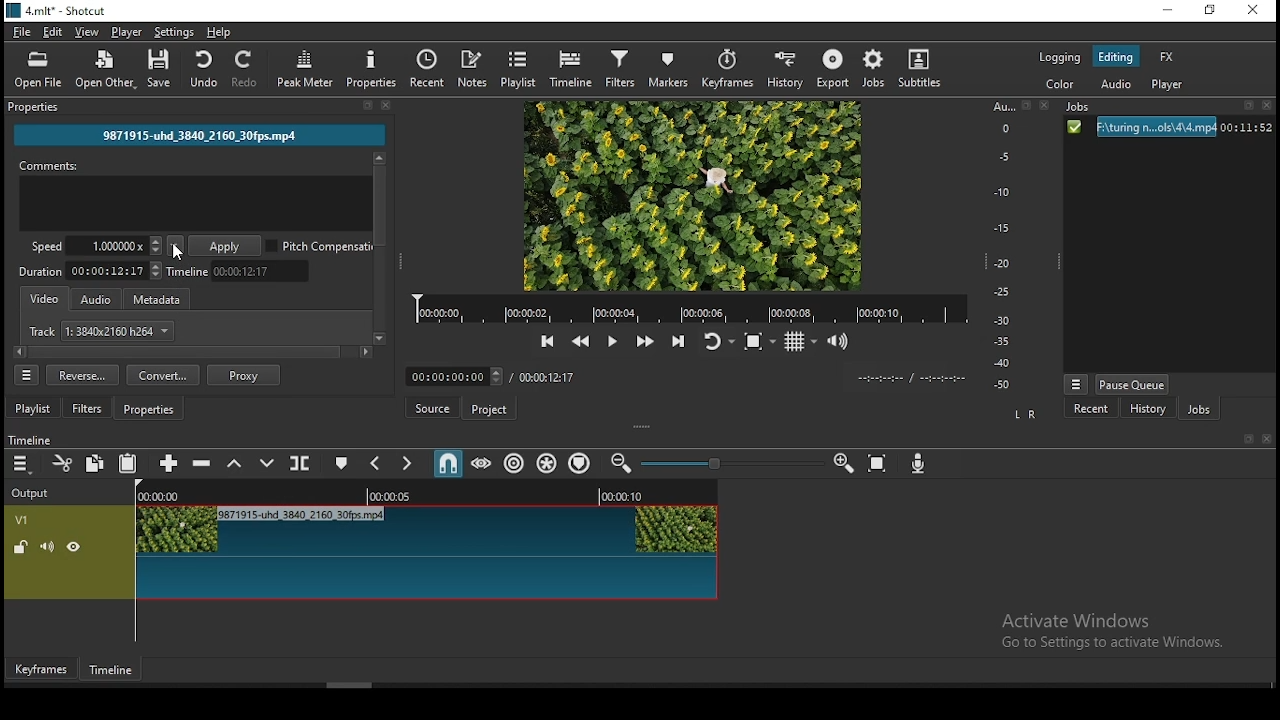 Image resolution: width=1280 pixels, height=720 pixels. Describe the element at coordinates (102, 331) in the screenshot. I see `track` at that location.